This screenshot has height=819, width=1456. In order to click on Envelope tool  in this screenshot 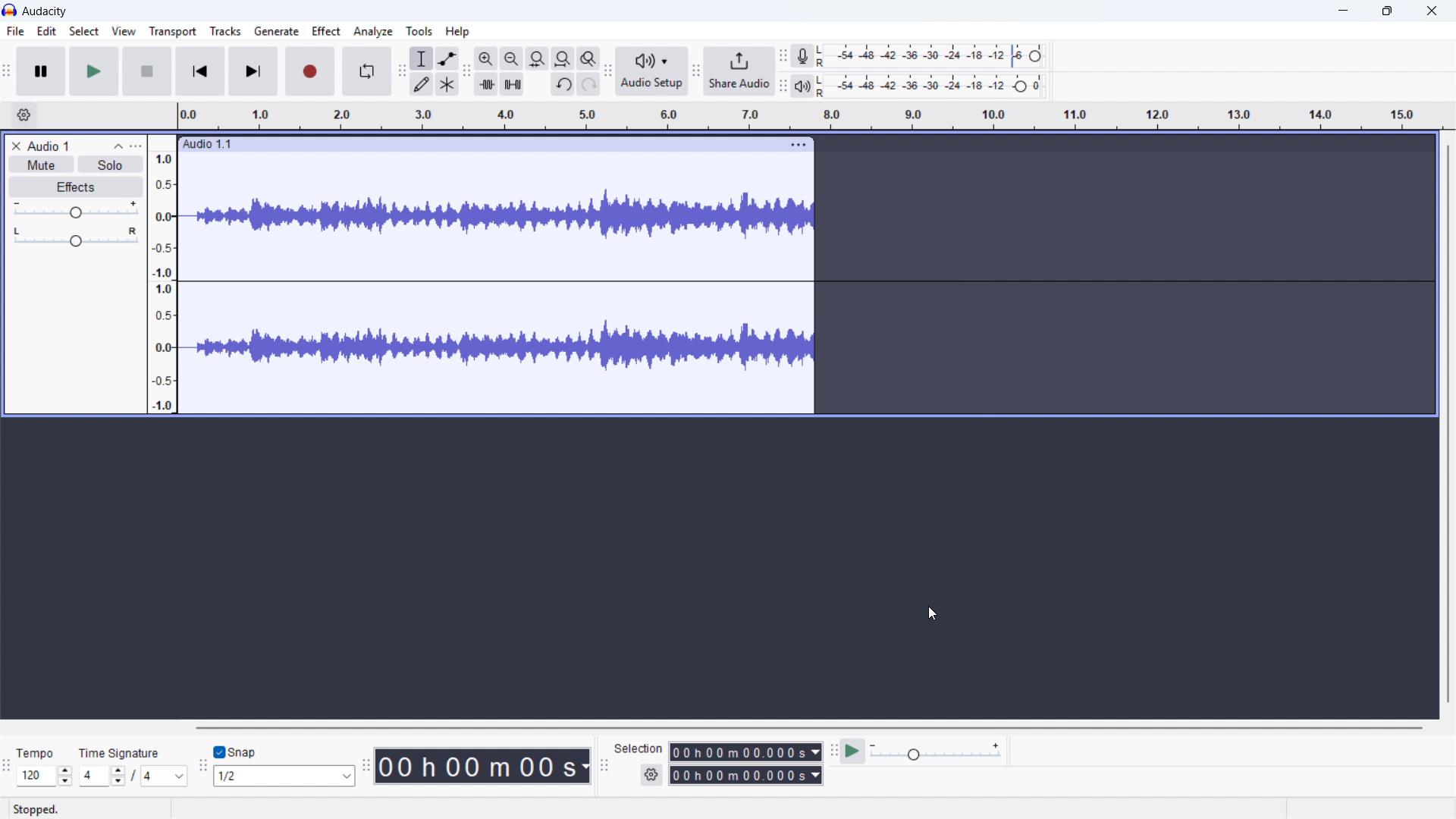, I will do `click(447, 58)`.